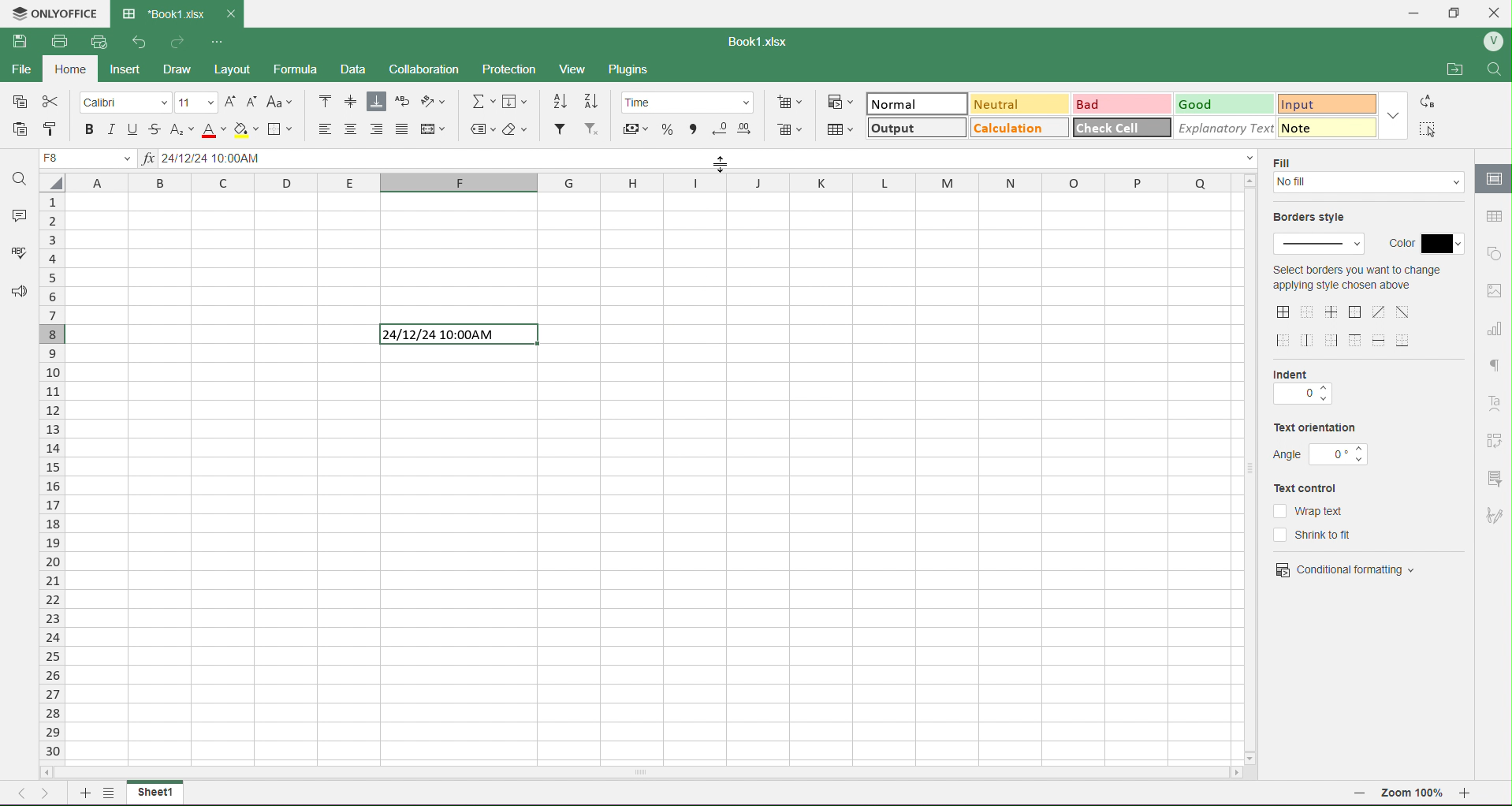 The image size is (1512, 806). Describe the element at coordinates (691, 101) in the screenshot. I see `Number Format` at that location.